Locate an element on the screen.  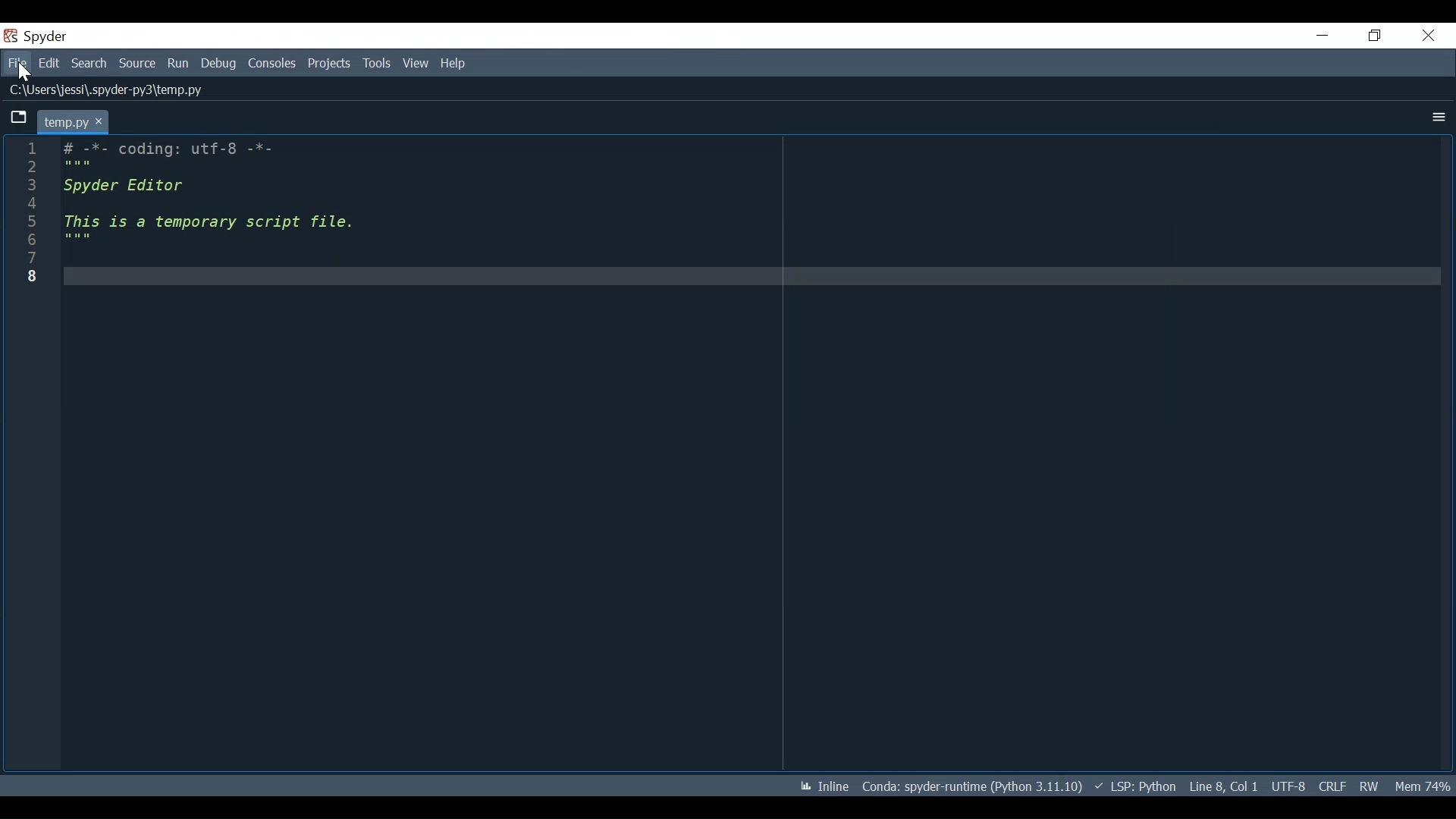
Consoles is located at coordinates (271, 64).